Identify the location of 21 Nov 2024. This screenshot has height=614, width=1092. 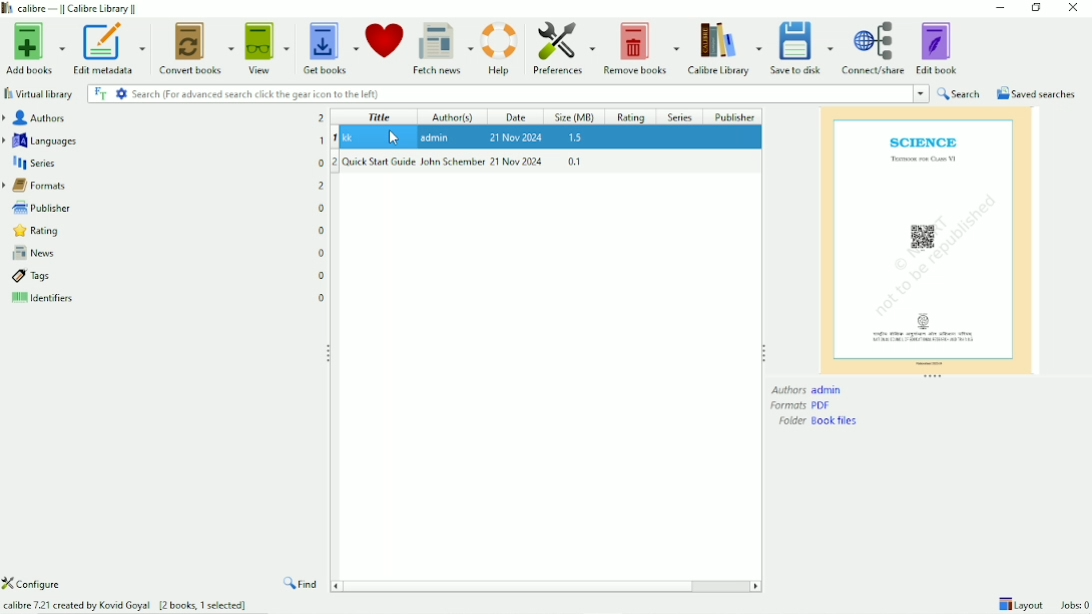
(518, 161).